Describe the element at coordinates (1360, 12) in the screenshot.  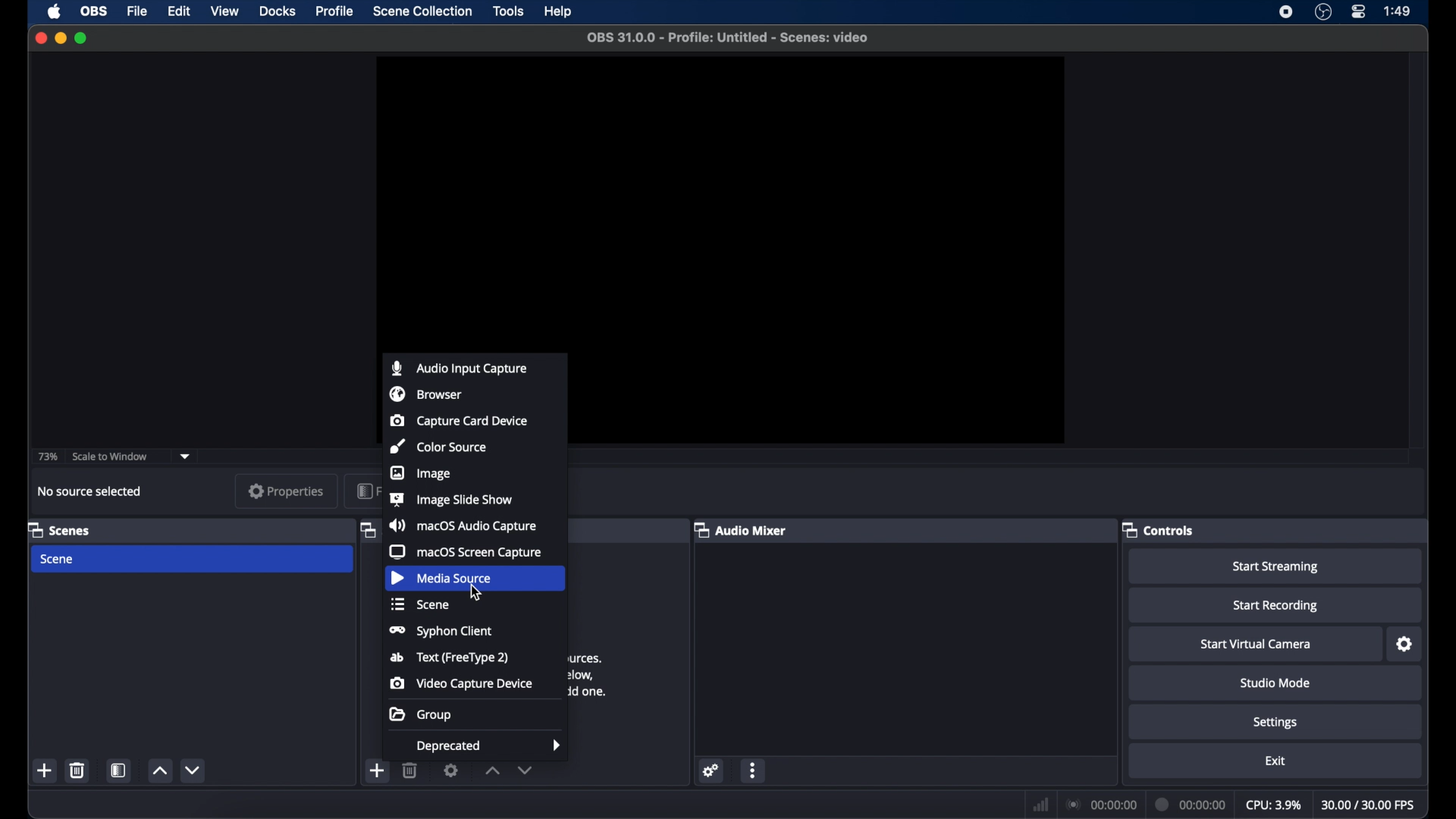
I see `control center` at that location.